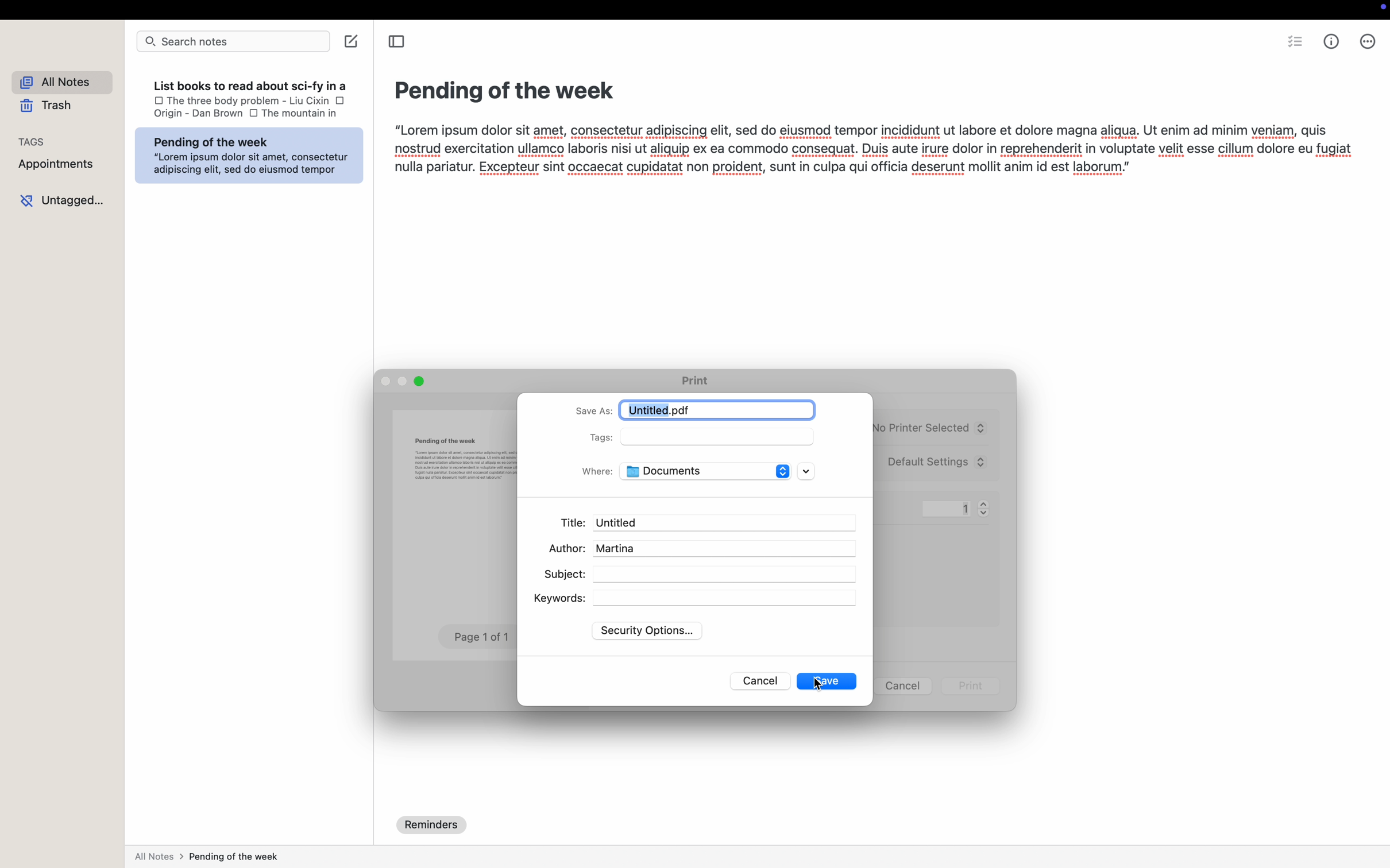  I want to click on printer no printer selected, so click(940, 429).